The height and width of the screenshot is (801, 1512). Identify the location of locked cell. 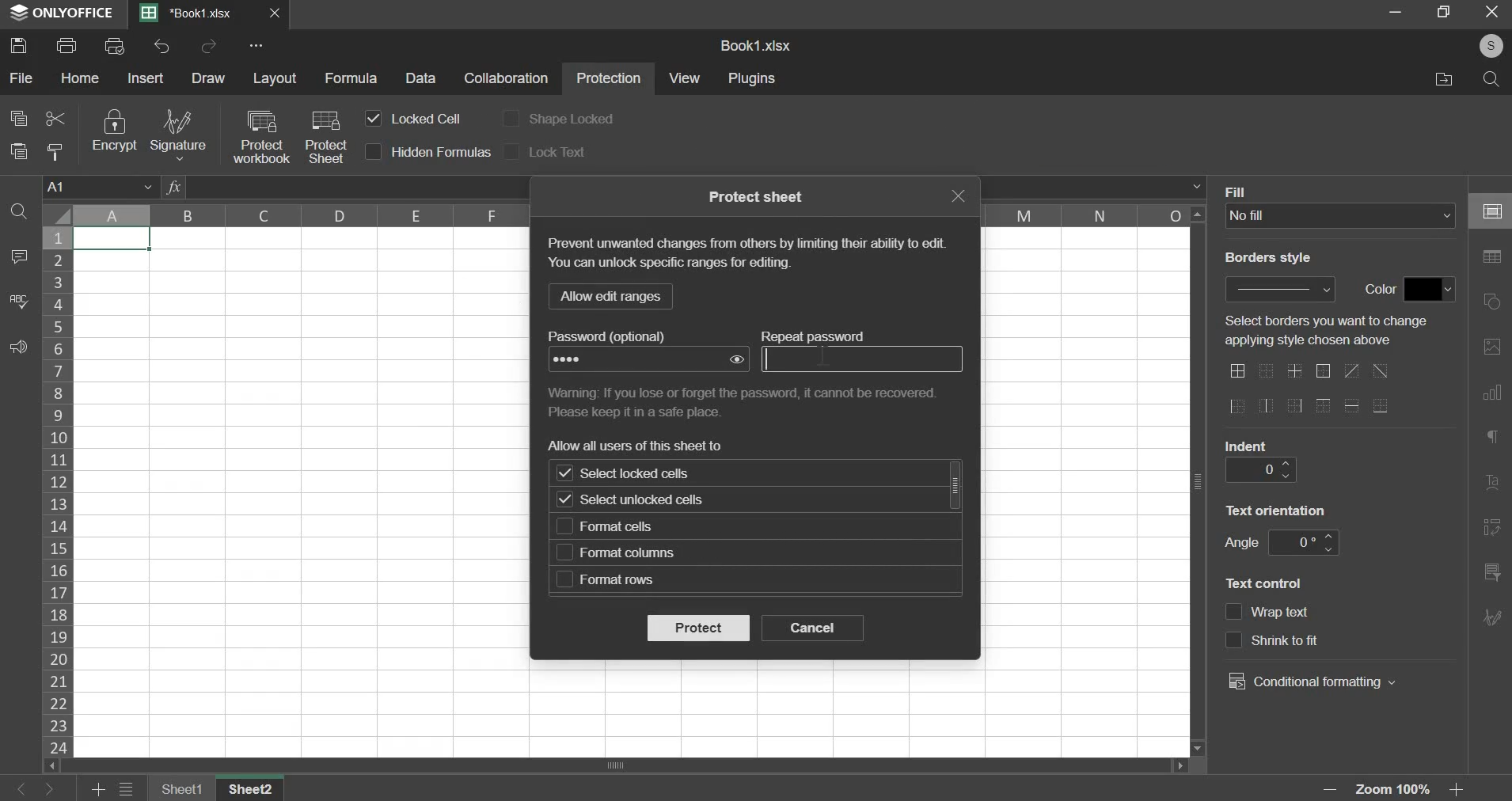
(424, 118).